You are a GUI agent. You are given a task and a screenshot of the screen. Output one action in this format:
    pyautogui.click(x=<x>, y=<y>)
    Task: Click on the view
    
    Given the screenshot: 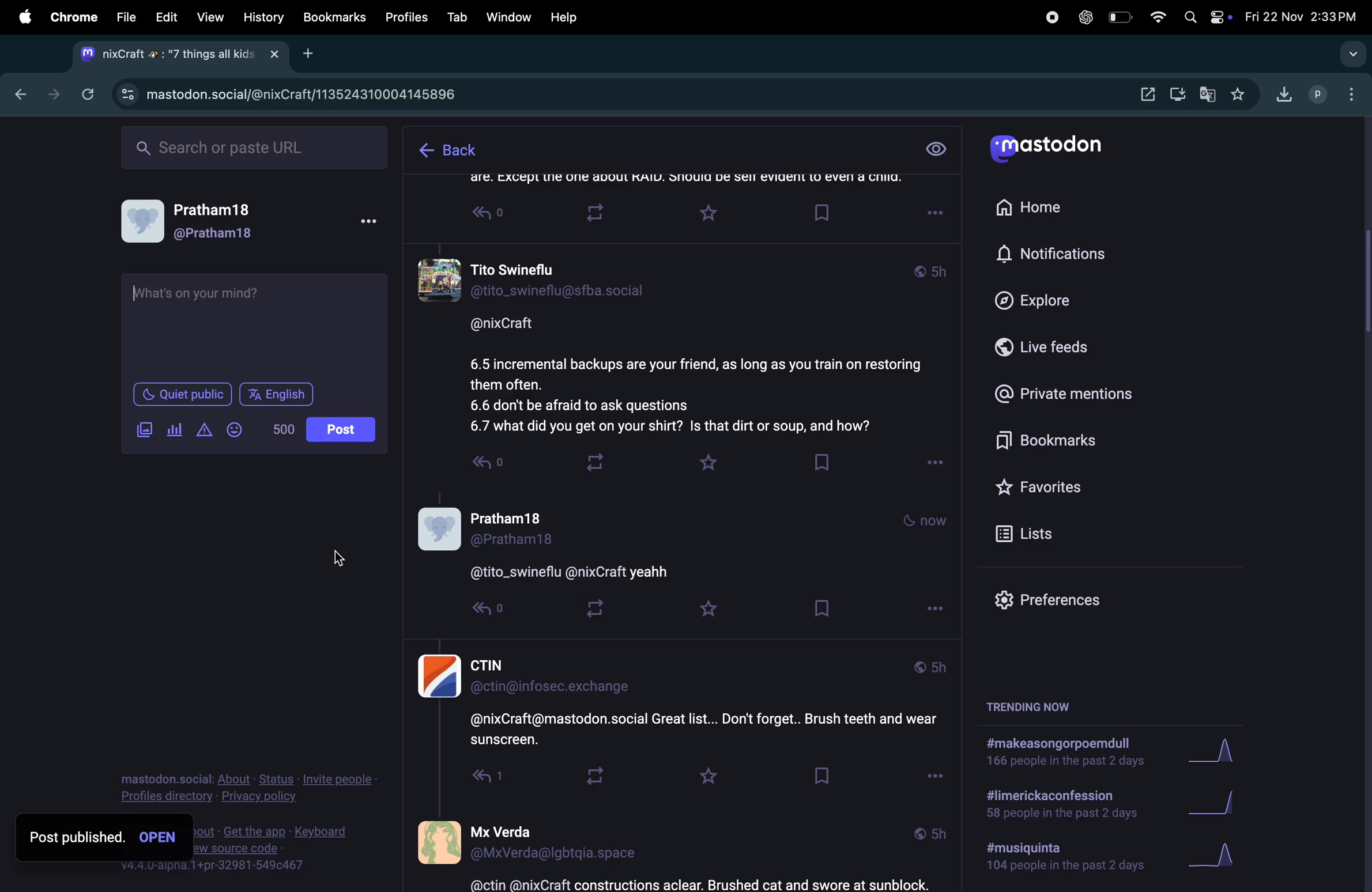 What is the action you would take?
    pyautogui.click(x=209, y=18)
    